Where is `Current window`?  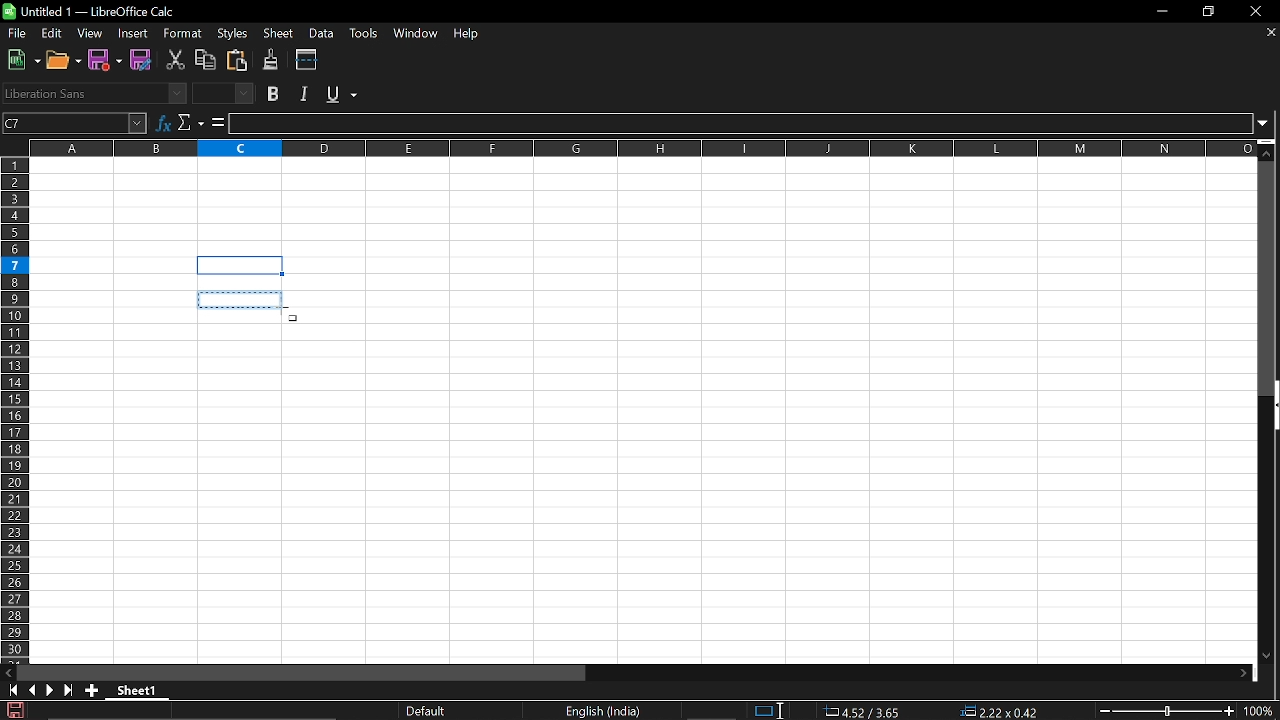 Current window is located at coordinates (93, 11).